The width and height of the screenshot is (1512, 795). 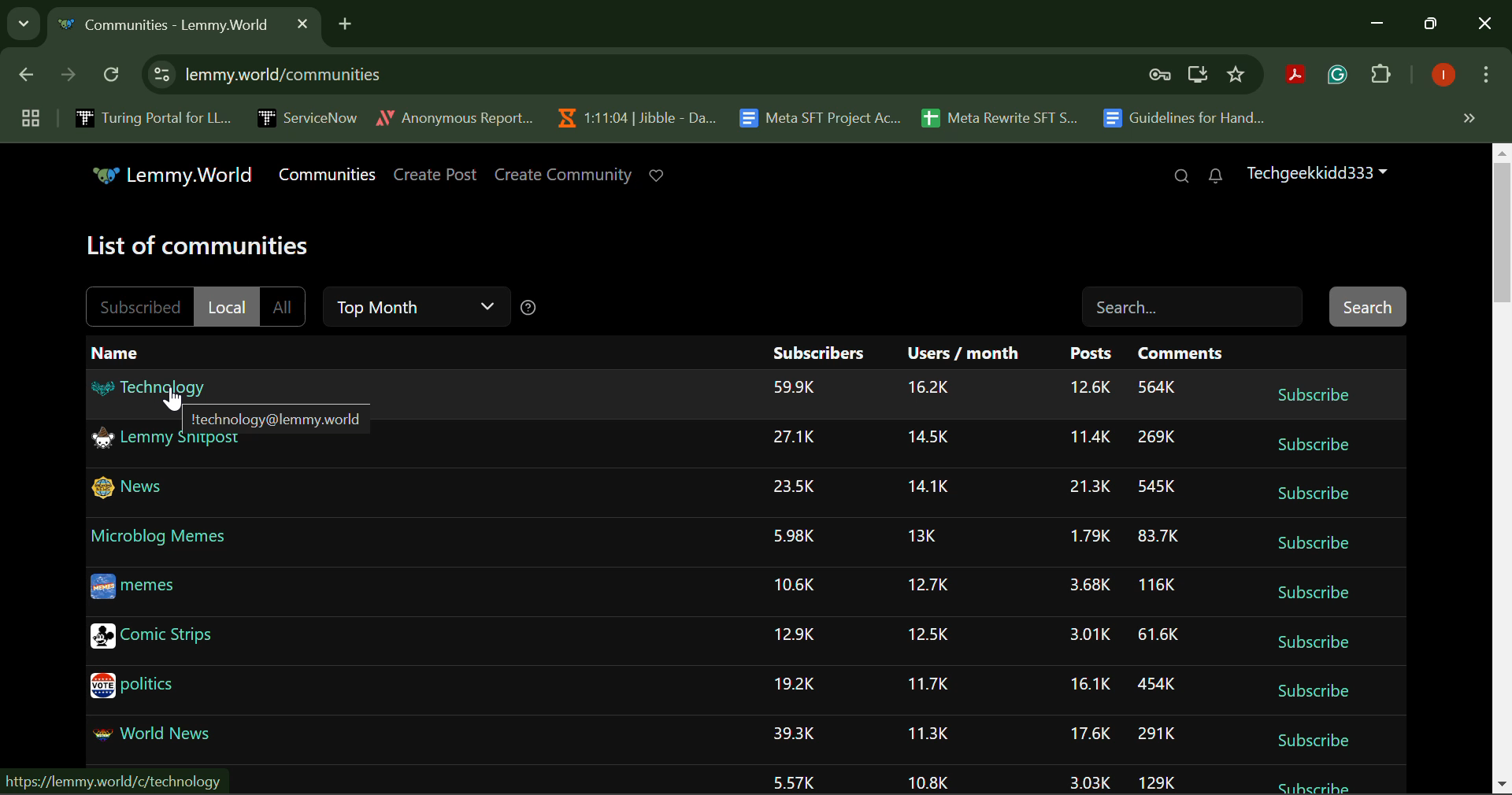 I want to click on Subscriber Column Heading, so click(x=818, y=352).